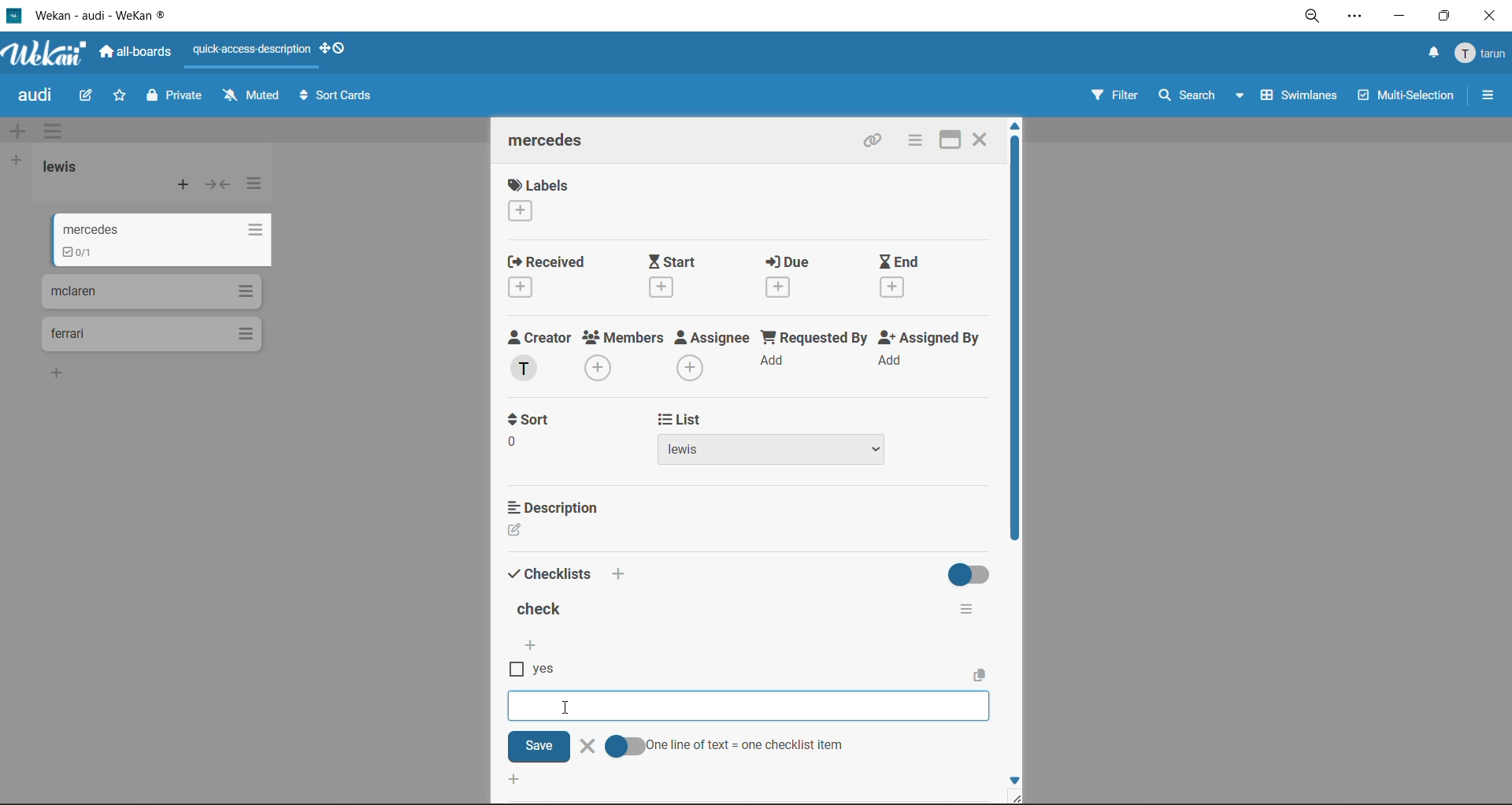  I want to click on list title, so click(67, 167).